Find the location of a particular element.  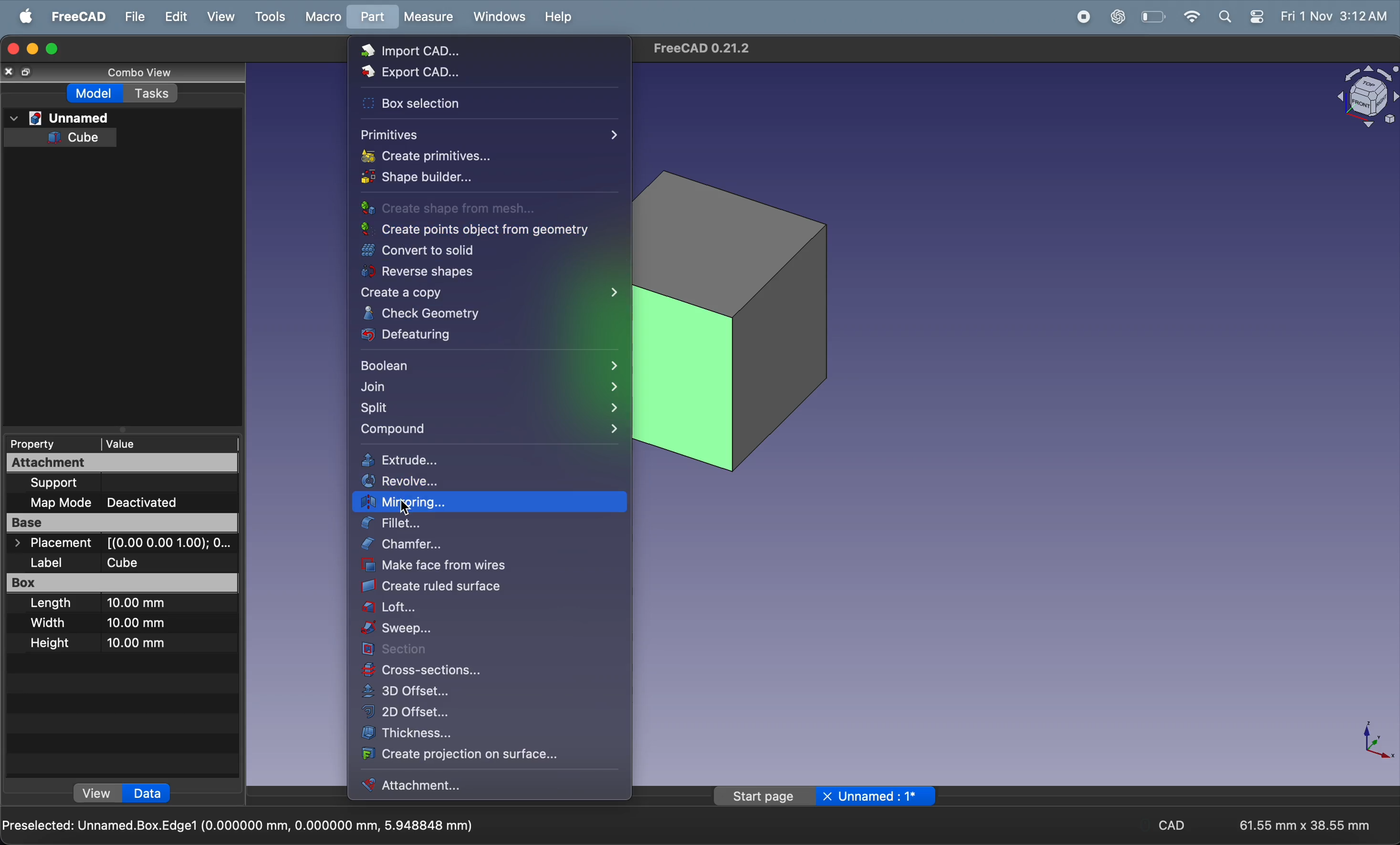

search is located at coordinates (1224, 18).